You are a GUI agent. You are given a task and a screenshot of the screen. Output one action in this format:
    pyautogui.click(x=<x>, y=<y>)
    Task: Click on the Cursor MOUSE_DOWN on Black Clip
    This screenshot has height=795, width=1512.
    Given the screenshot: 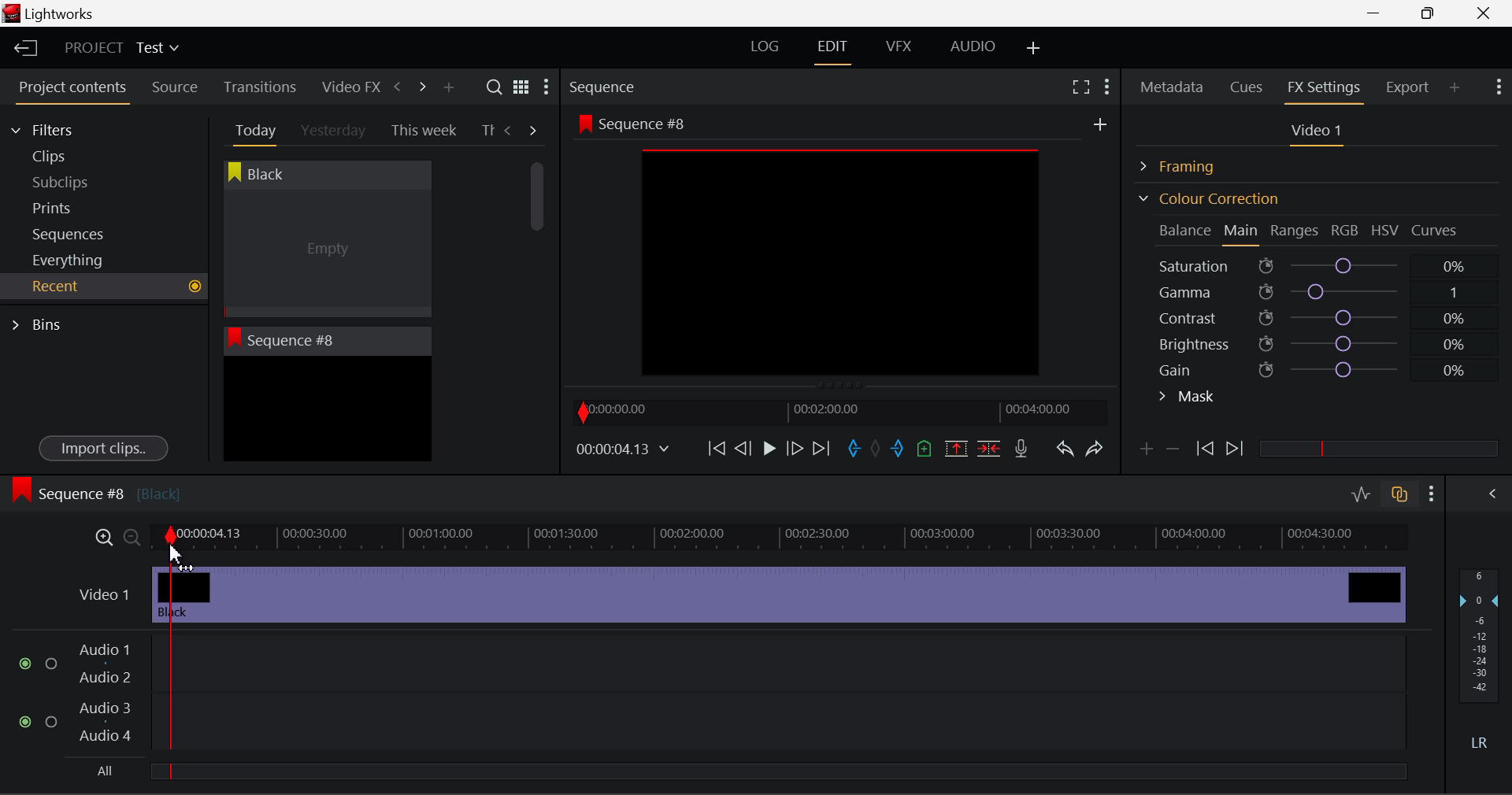 What is the action you would take?
    pyautogui.click(x=325, y=253)
    